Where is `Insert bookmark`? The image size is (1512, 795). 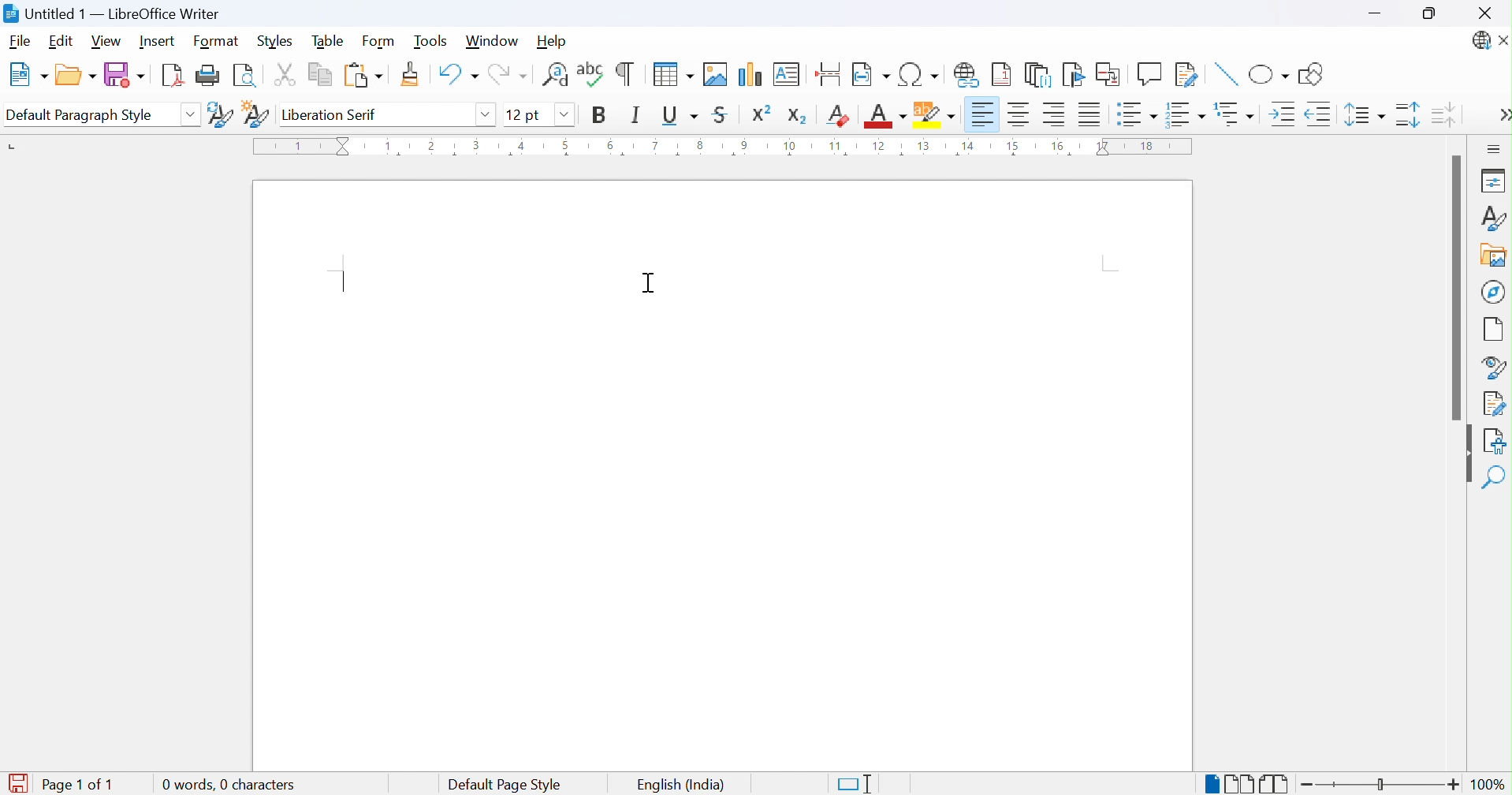 Insert bookmark is located at coordinates (1075, 75).